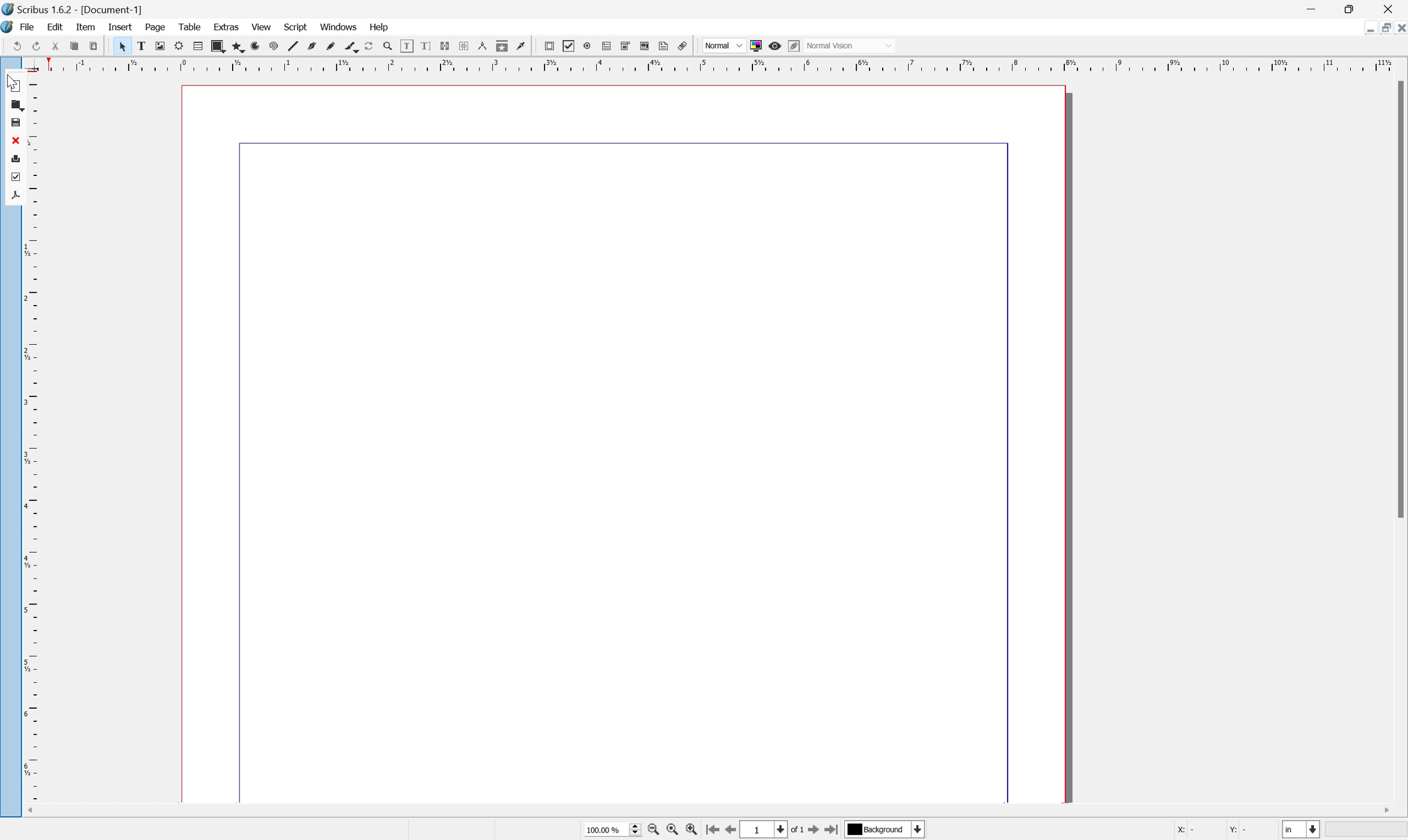  I want to click on view, so click(263, 27).